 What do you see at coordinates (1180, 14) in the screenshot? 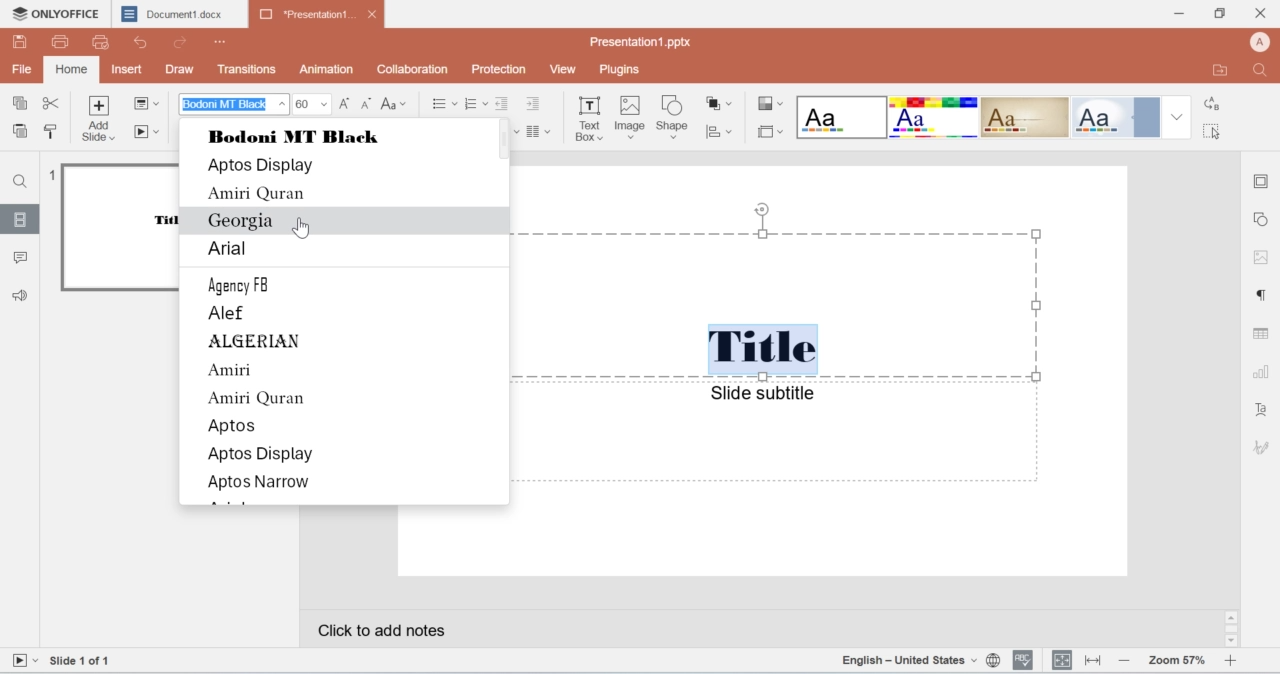
I see `minimize` at bounding box center [1180, 14].